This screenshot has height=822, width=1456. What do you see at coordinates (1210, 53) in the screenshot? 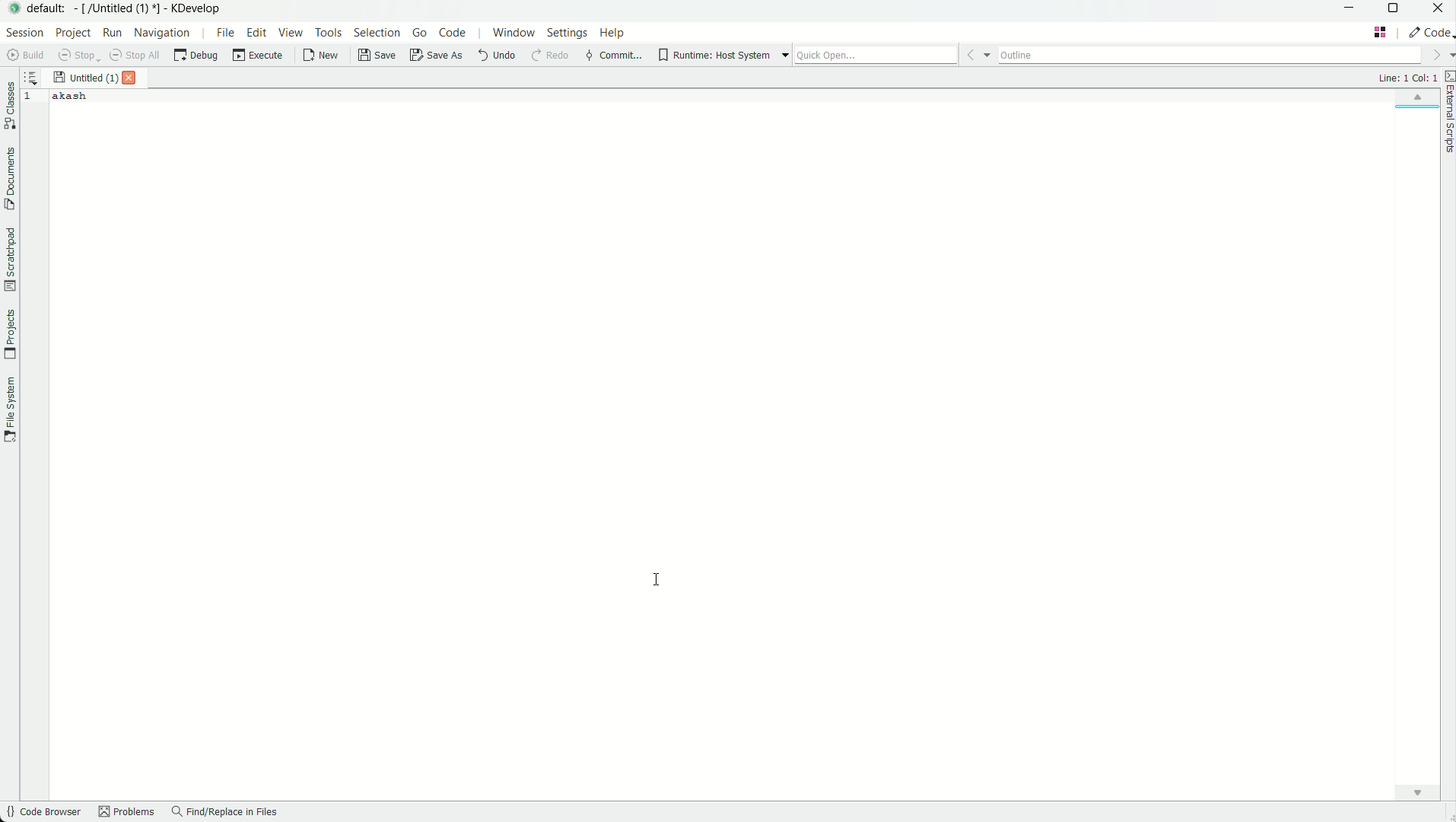
I see `outline` at bounding box center [1210, 53].